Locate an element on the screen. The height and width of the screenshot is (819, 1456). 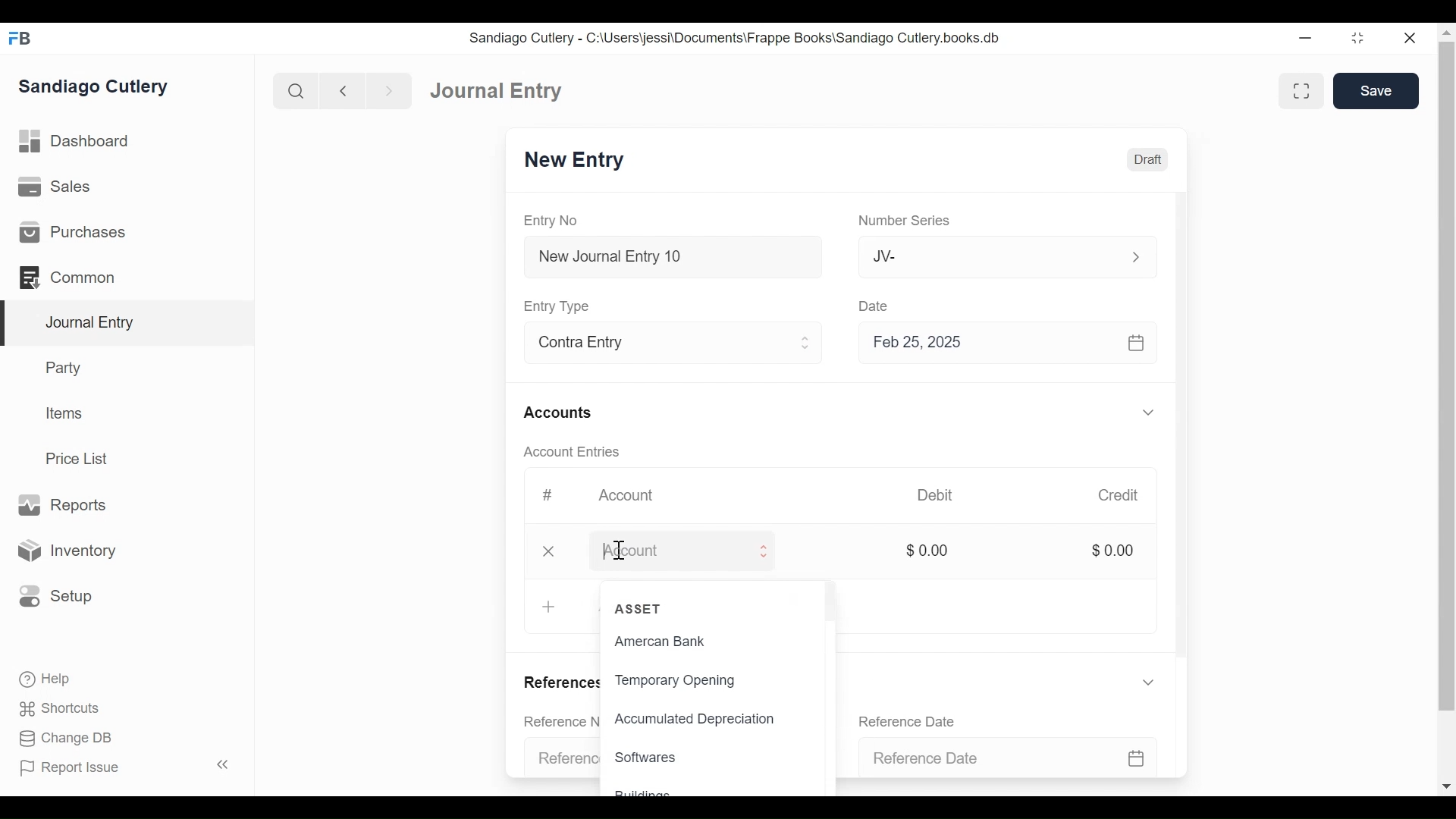
vertical scroll bar is located at coordinates (1447, 378).